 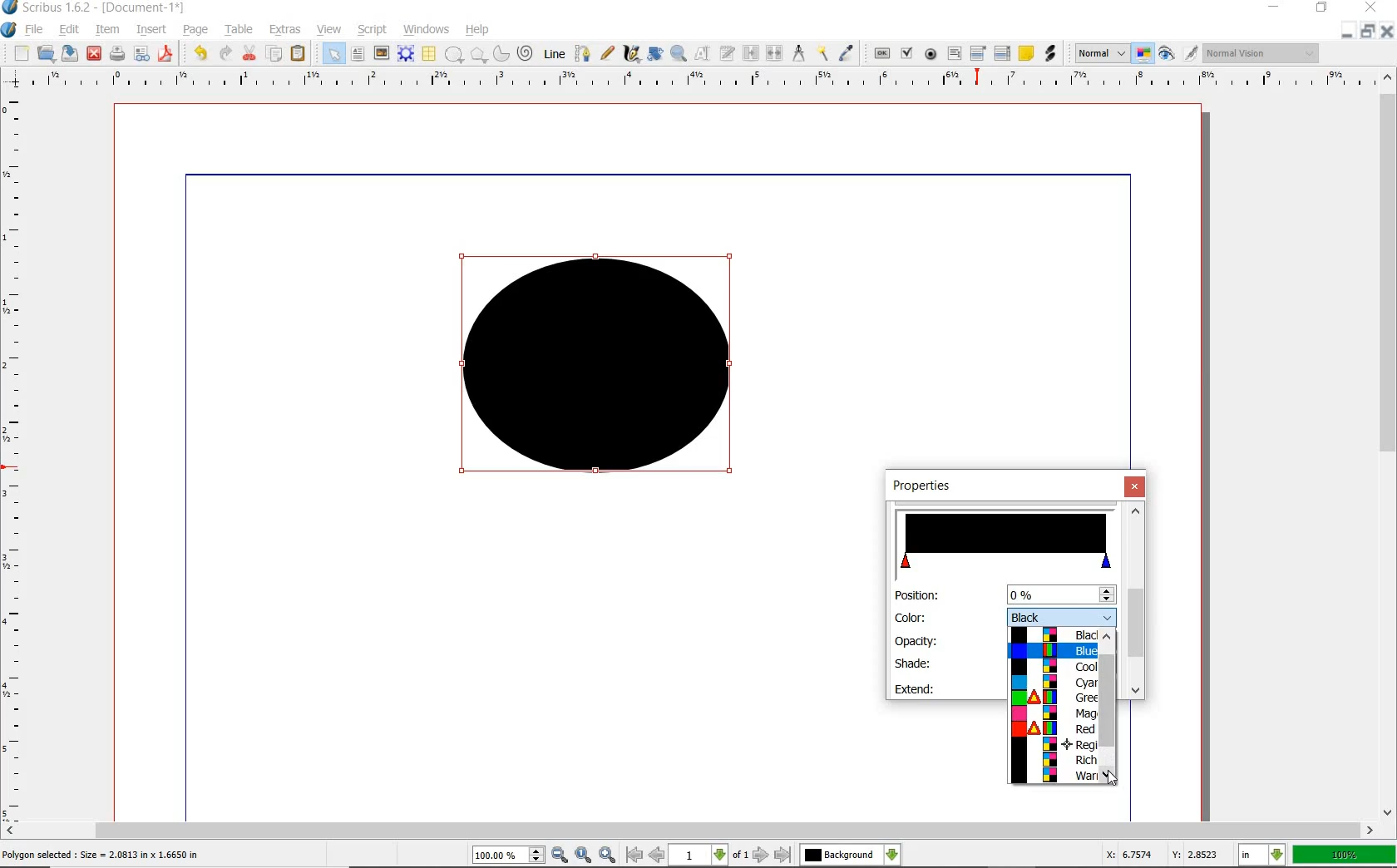 I want to click on ARC, so click(x=500, y=55).